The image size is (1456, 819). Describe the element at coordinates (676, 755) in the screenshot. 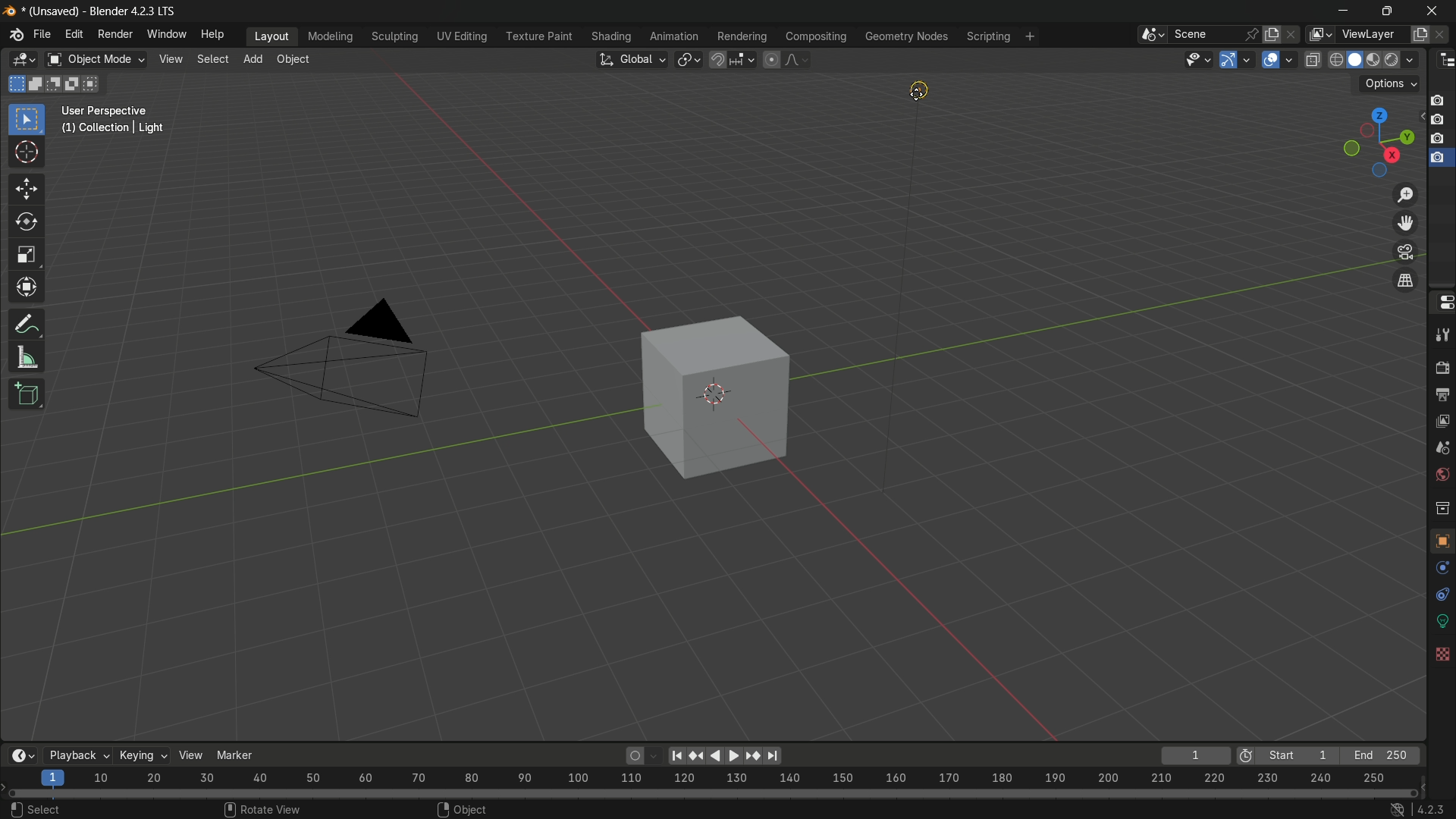

I see `jump to endpoint` at that location.